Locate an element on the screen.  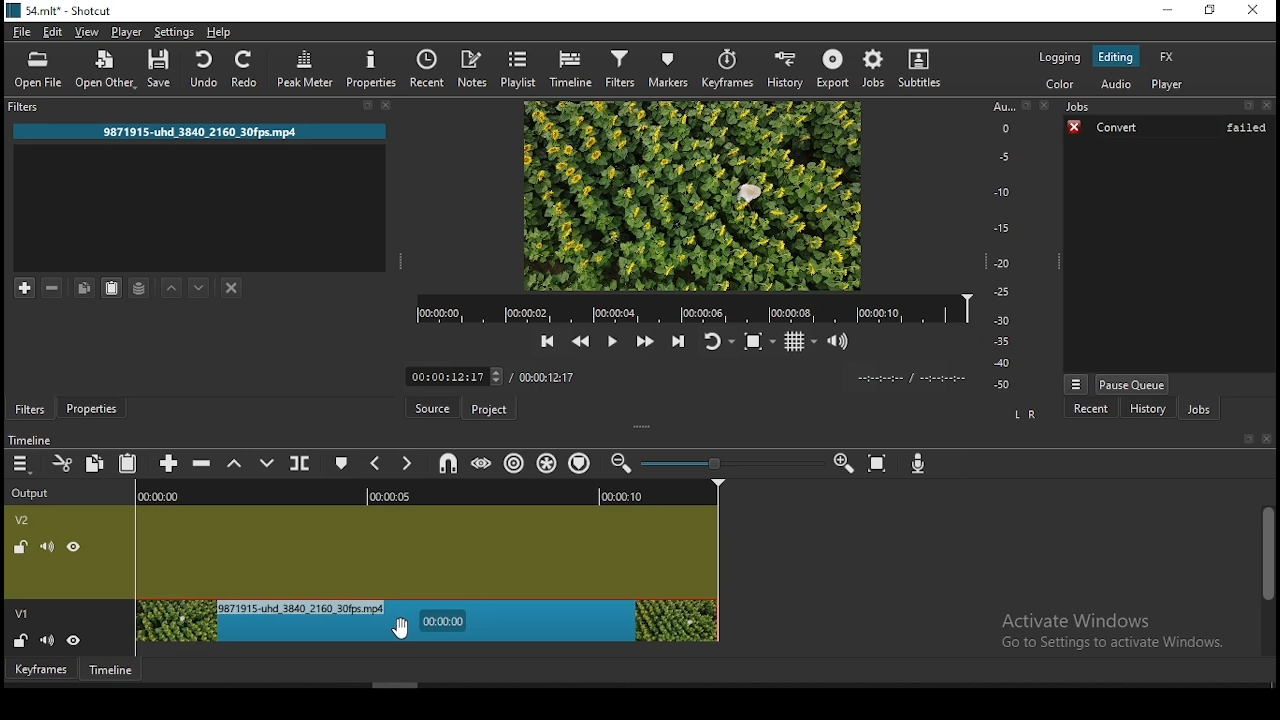
close is located at coordinates (1267, 437).